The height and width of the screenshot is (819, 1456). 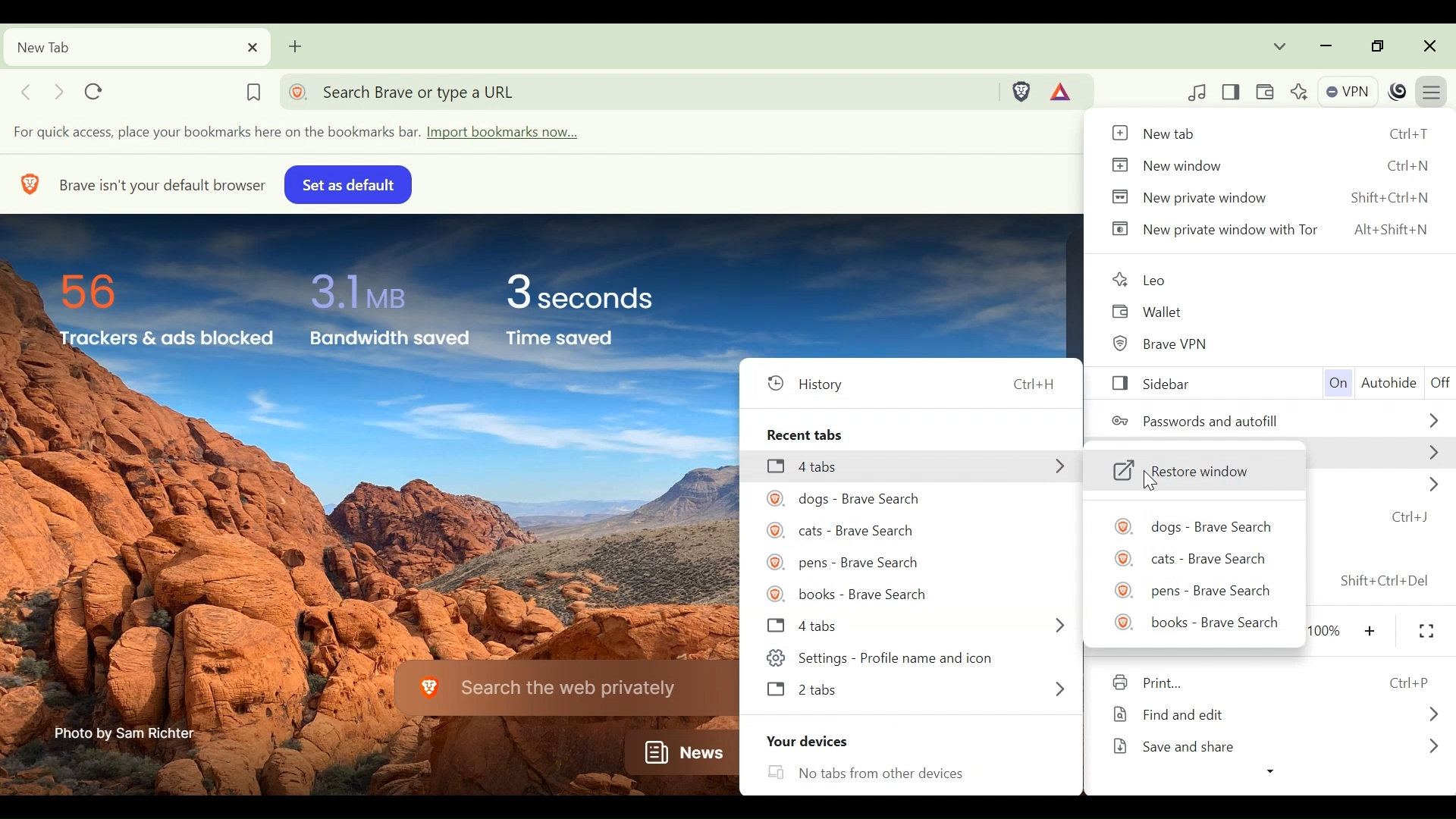 I want to click on © History, so click(x=821, y=384).